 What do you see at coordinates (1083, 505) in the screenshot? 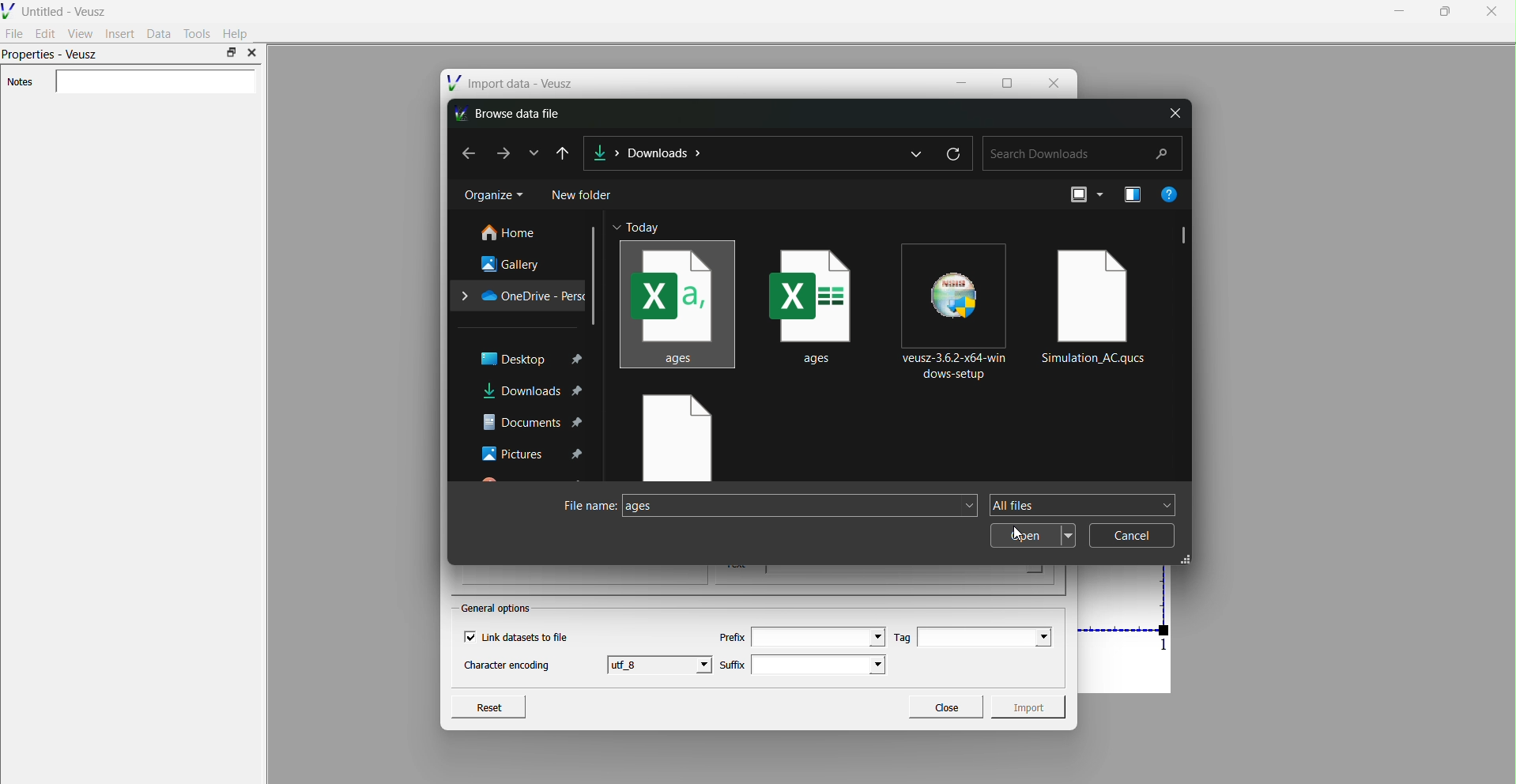
I see `All files` at bounding box center [1083, 505].